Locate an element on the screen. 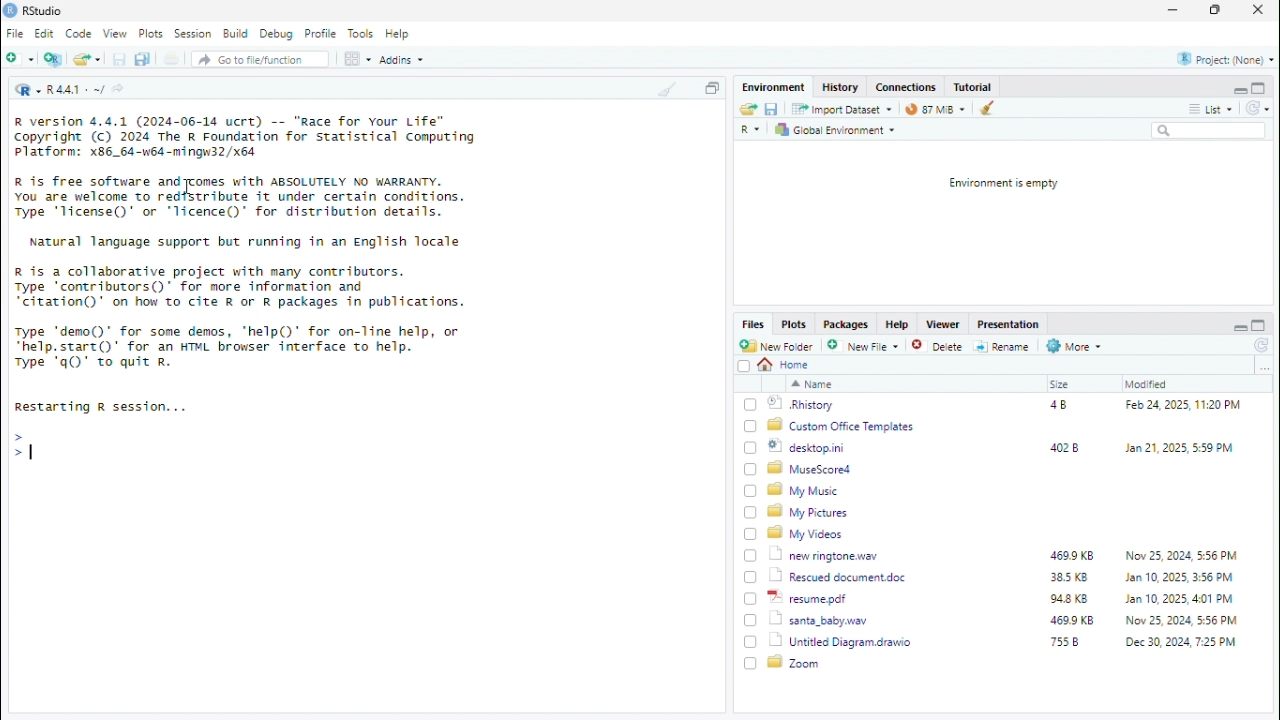 The width and height of the screenshot is (1280, 720). Code is located at coordinates (79, 34).